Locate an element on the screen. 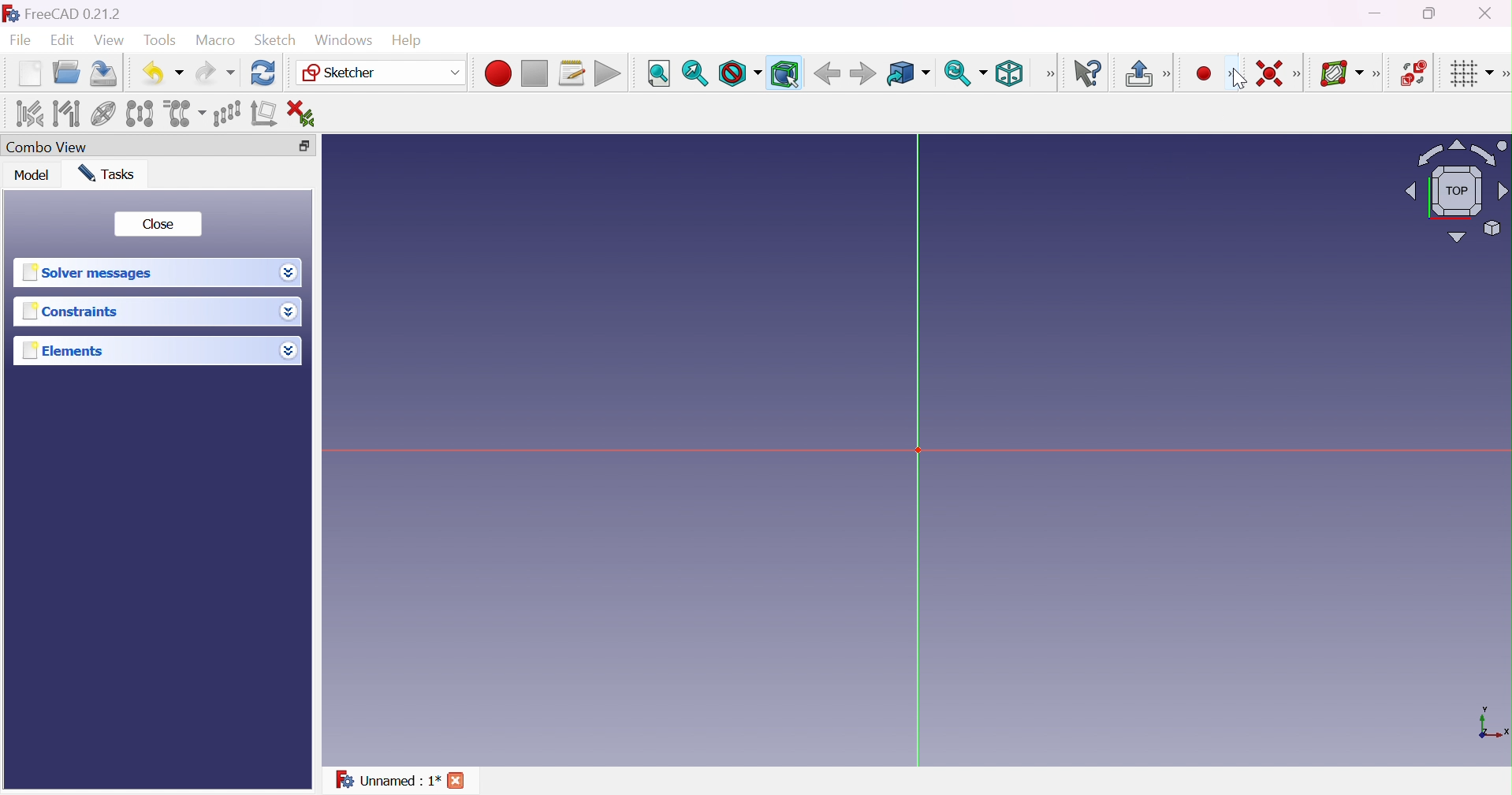  What's this? is located at coordinates (1091, 74).